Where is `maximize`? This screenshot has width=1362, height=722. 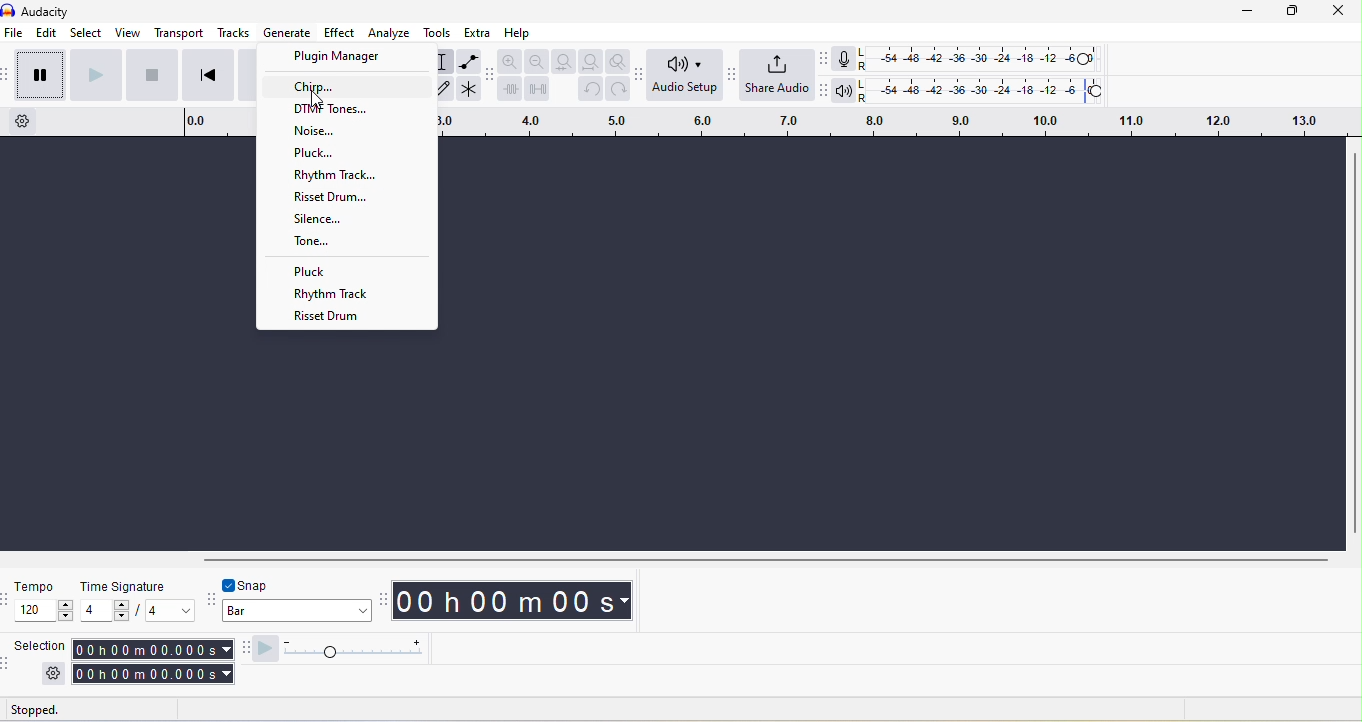 maximize is located at coordinates (1299, 11).